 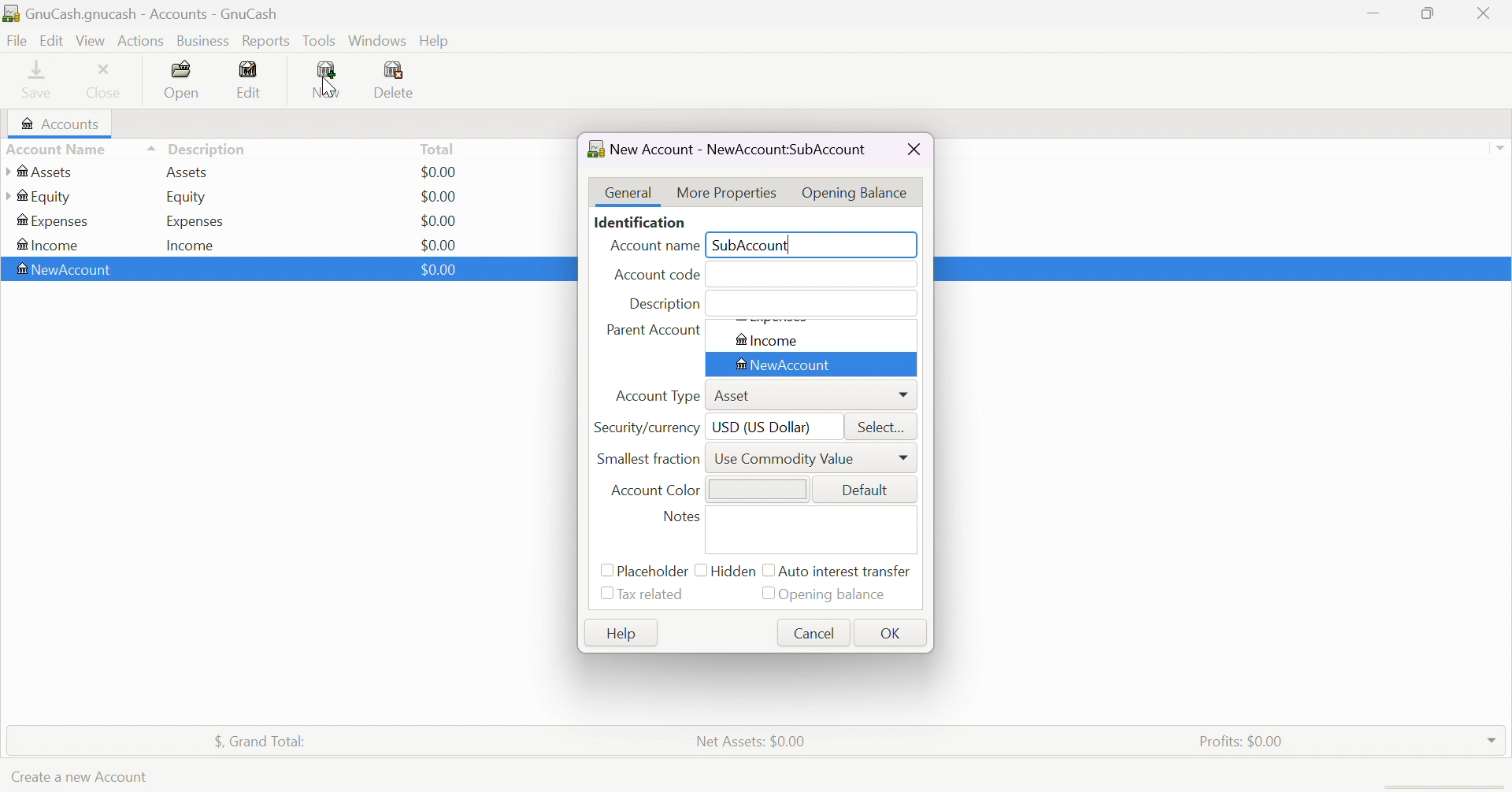 I want to click on Parent Account, so click(x=653, y=329).